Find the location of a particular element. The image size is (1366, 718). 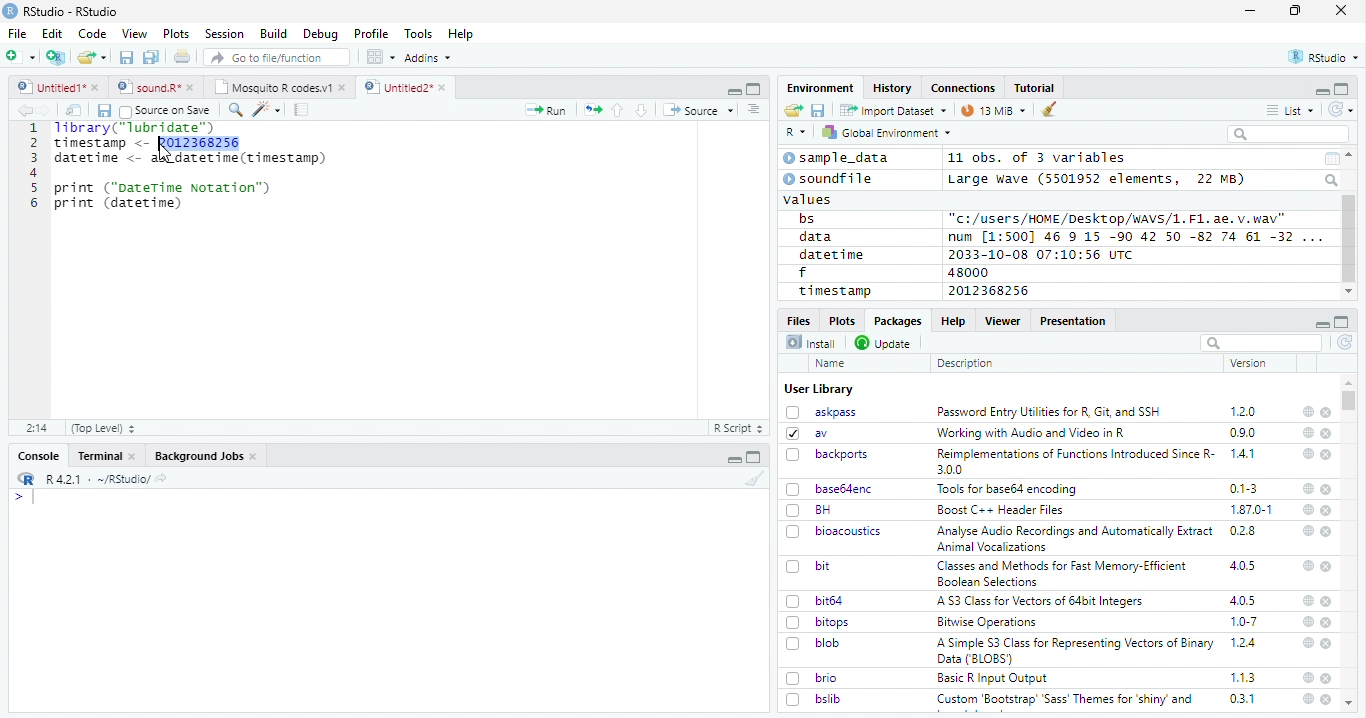

help is located at coordinates (1307, 600).